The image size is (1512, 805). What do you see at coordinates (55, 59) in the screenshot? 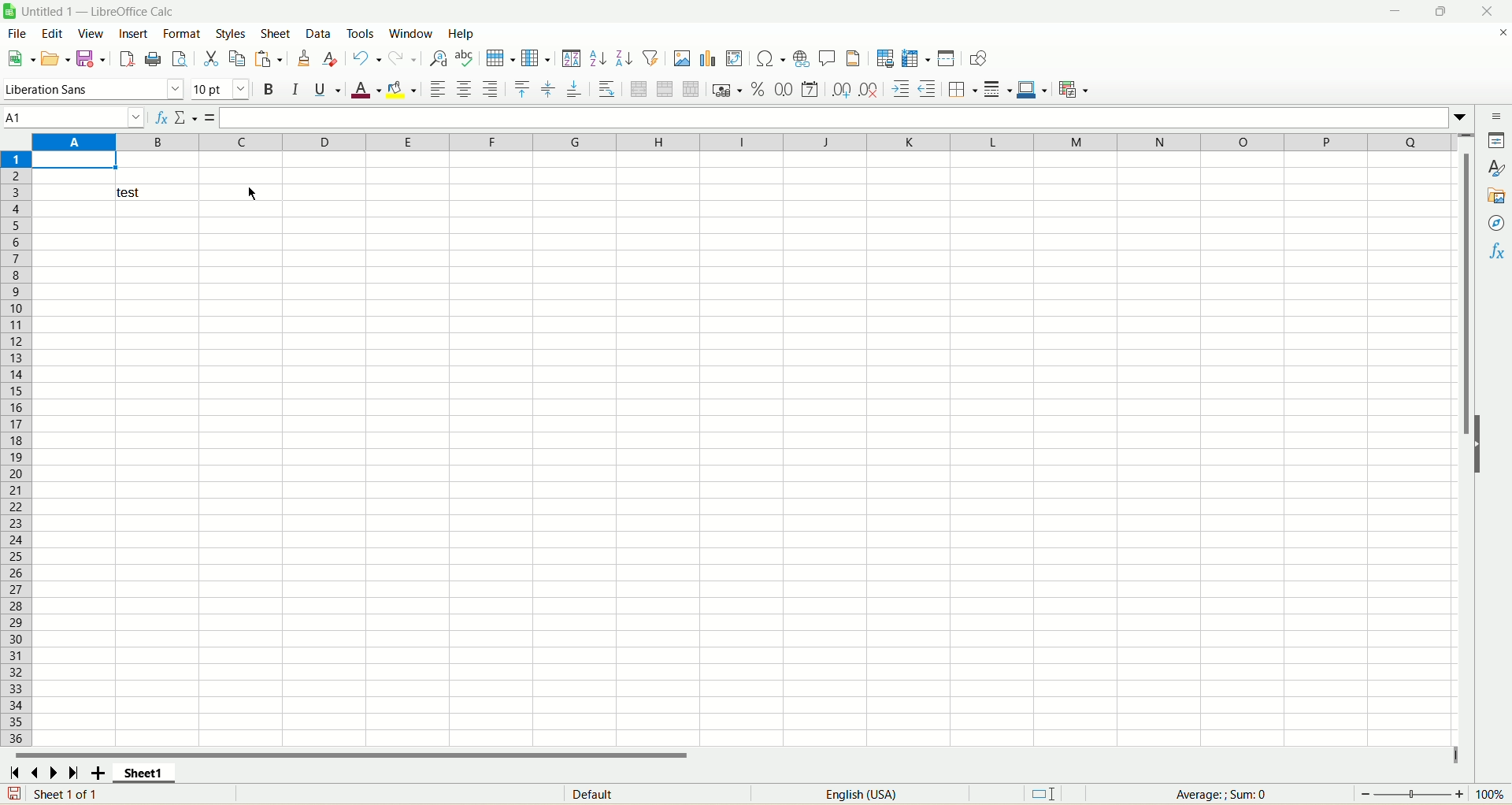
I see `open` at bounding box center [55, 59].